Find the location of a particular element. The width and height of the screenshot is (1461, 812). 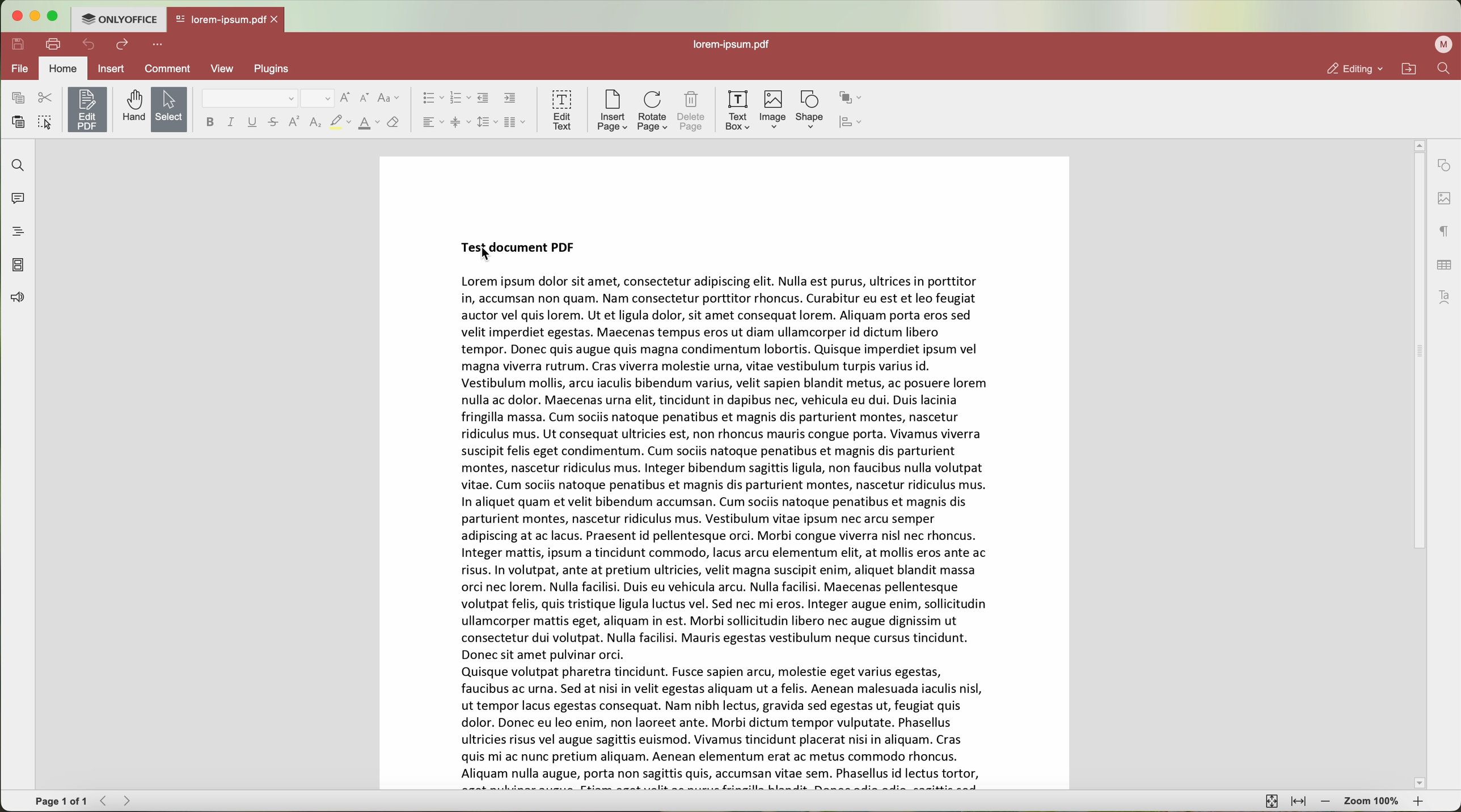

cut is located at coordinates (48, 98).